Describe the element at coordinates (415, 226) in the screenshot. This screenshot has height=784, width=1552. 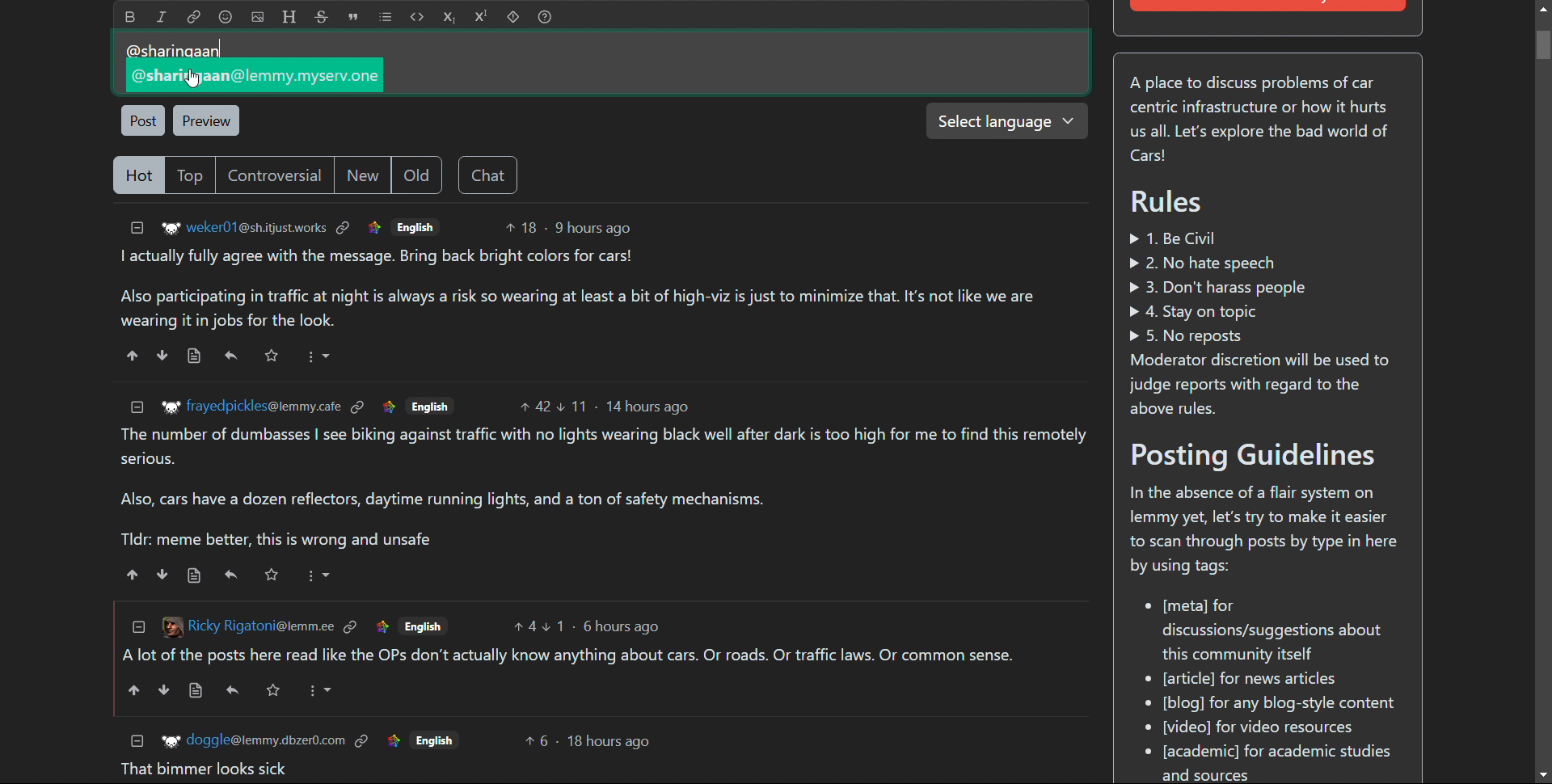
I see `English` at that location.